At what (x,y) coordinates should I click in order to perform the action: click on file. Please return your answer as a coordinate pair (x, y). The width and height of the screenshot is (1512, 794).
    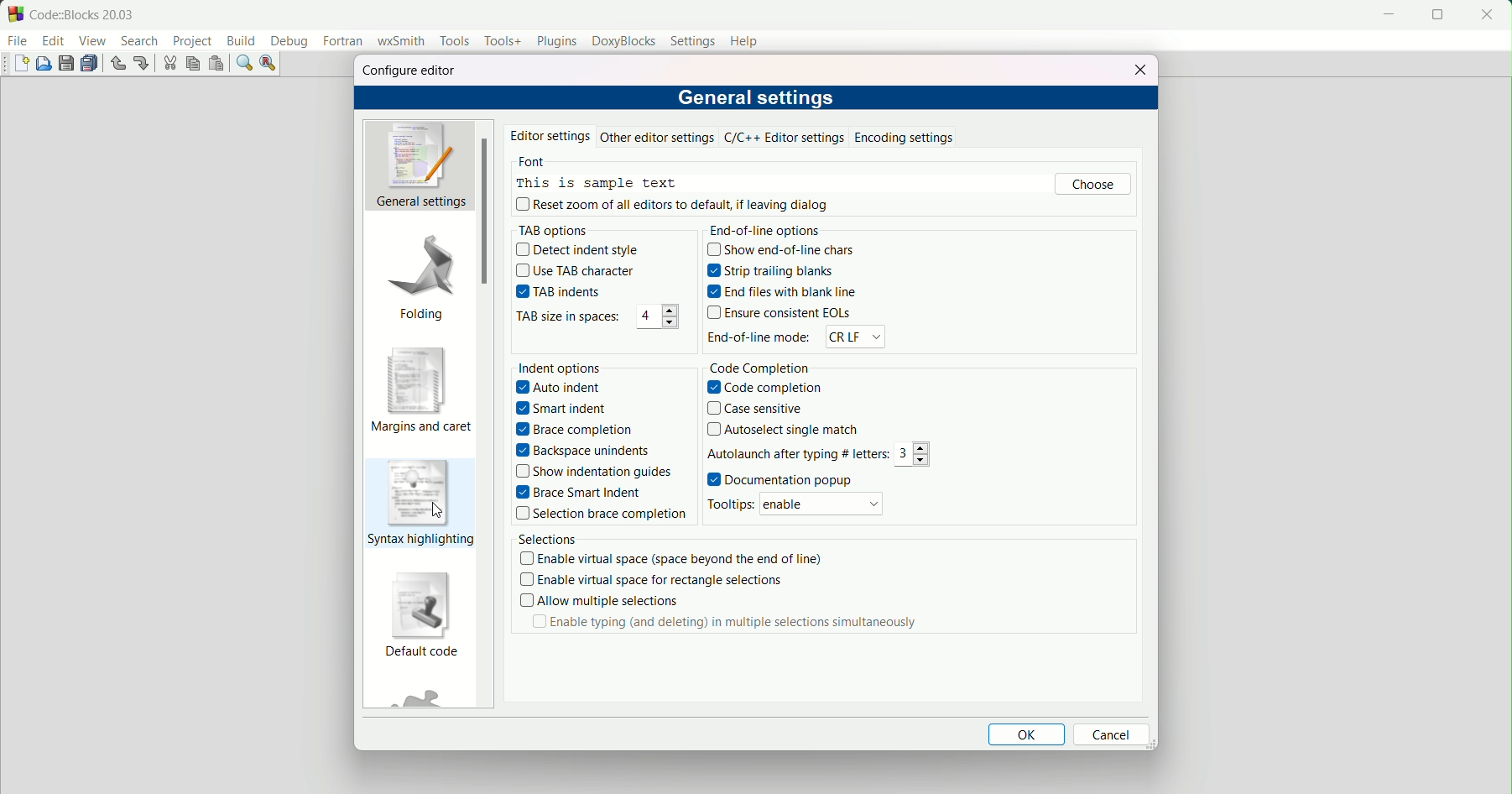
    Looking at the image, I should click on (18, 42).